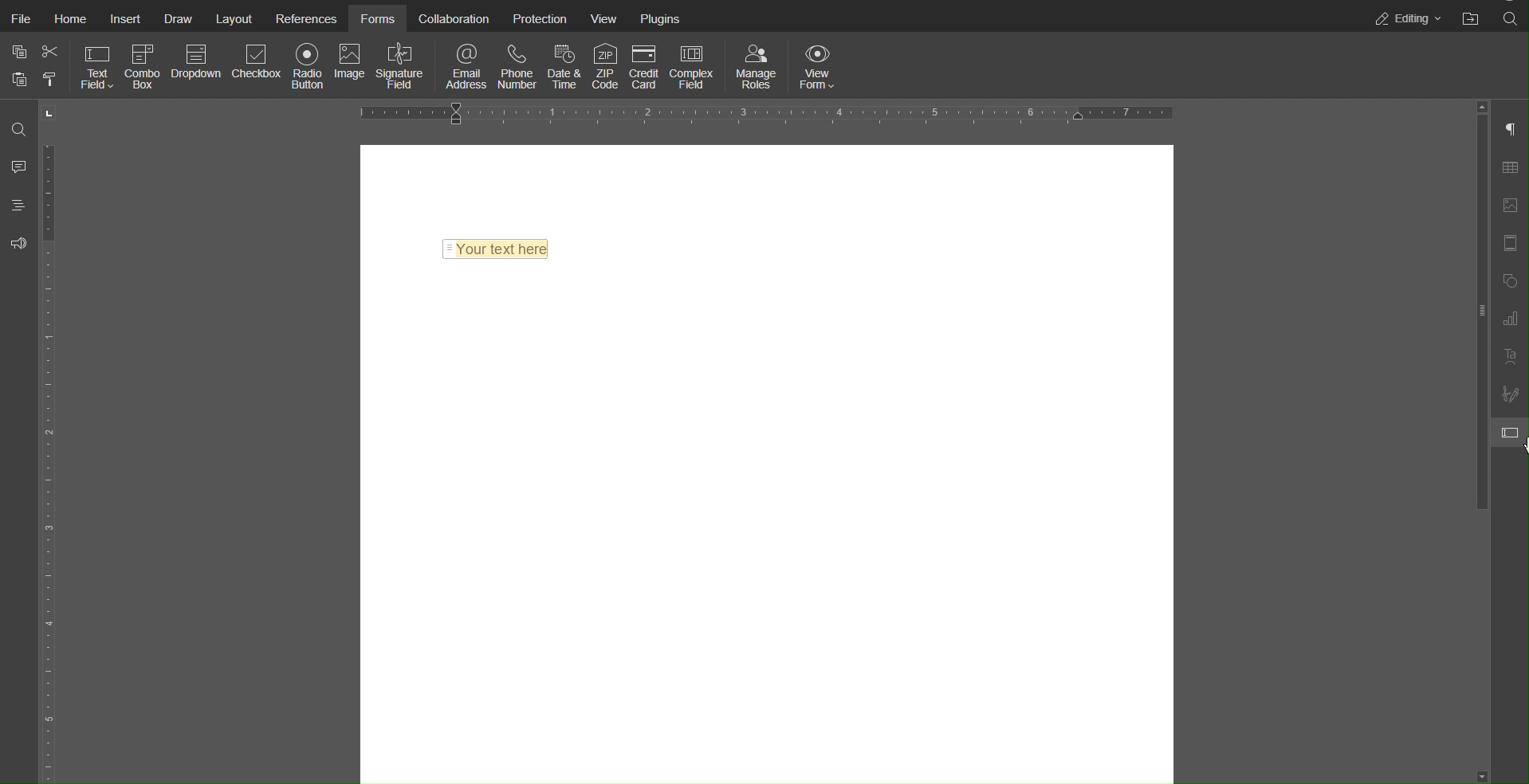 The width and height of the screenshot is (1529, 784). I want to click on Headings, so click(19, 204).